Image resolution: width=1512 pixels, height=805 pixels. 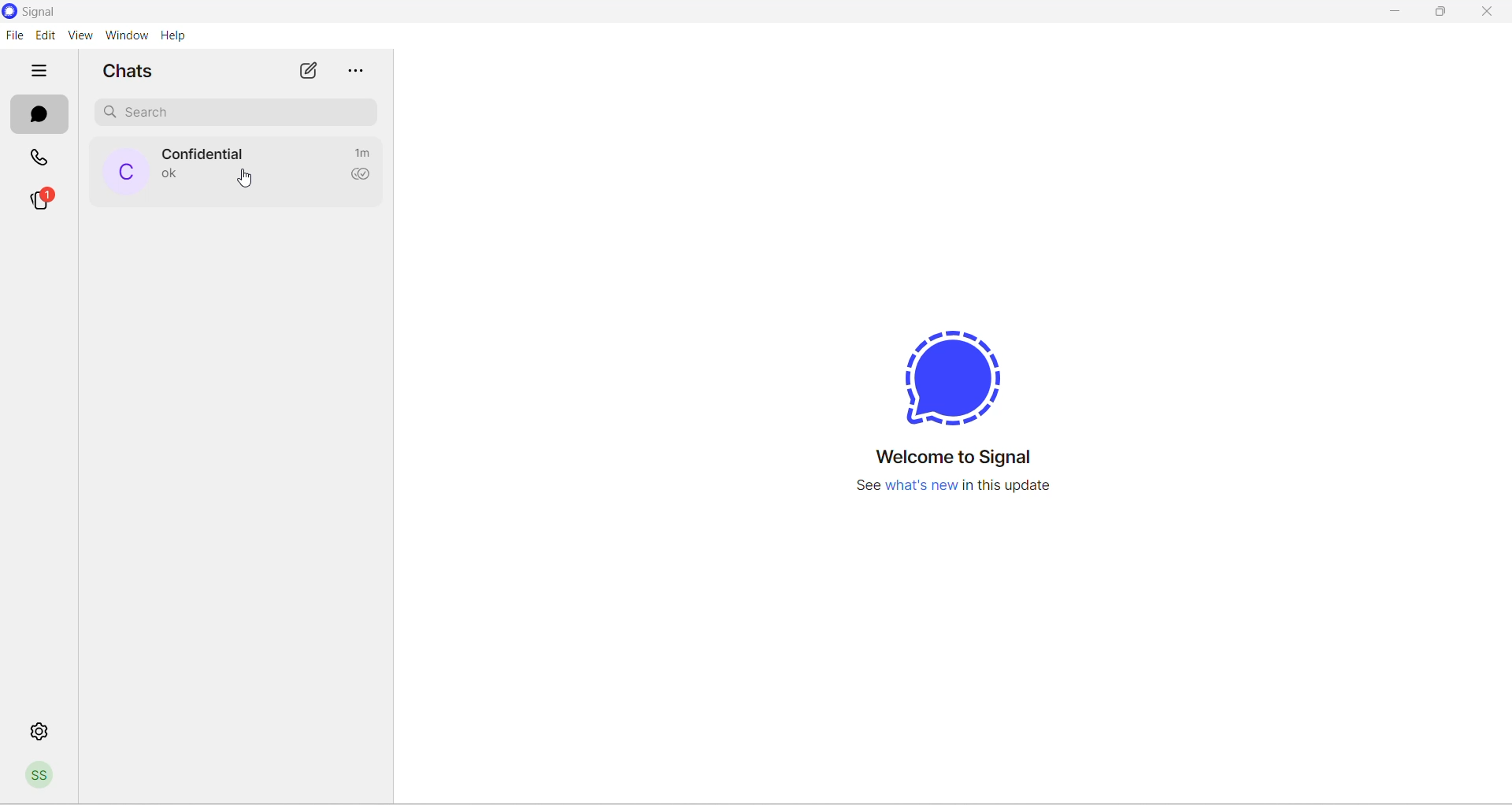 I want to click on window, so click(x=128, y=35).